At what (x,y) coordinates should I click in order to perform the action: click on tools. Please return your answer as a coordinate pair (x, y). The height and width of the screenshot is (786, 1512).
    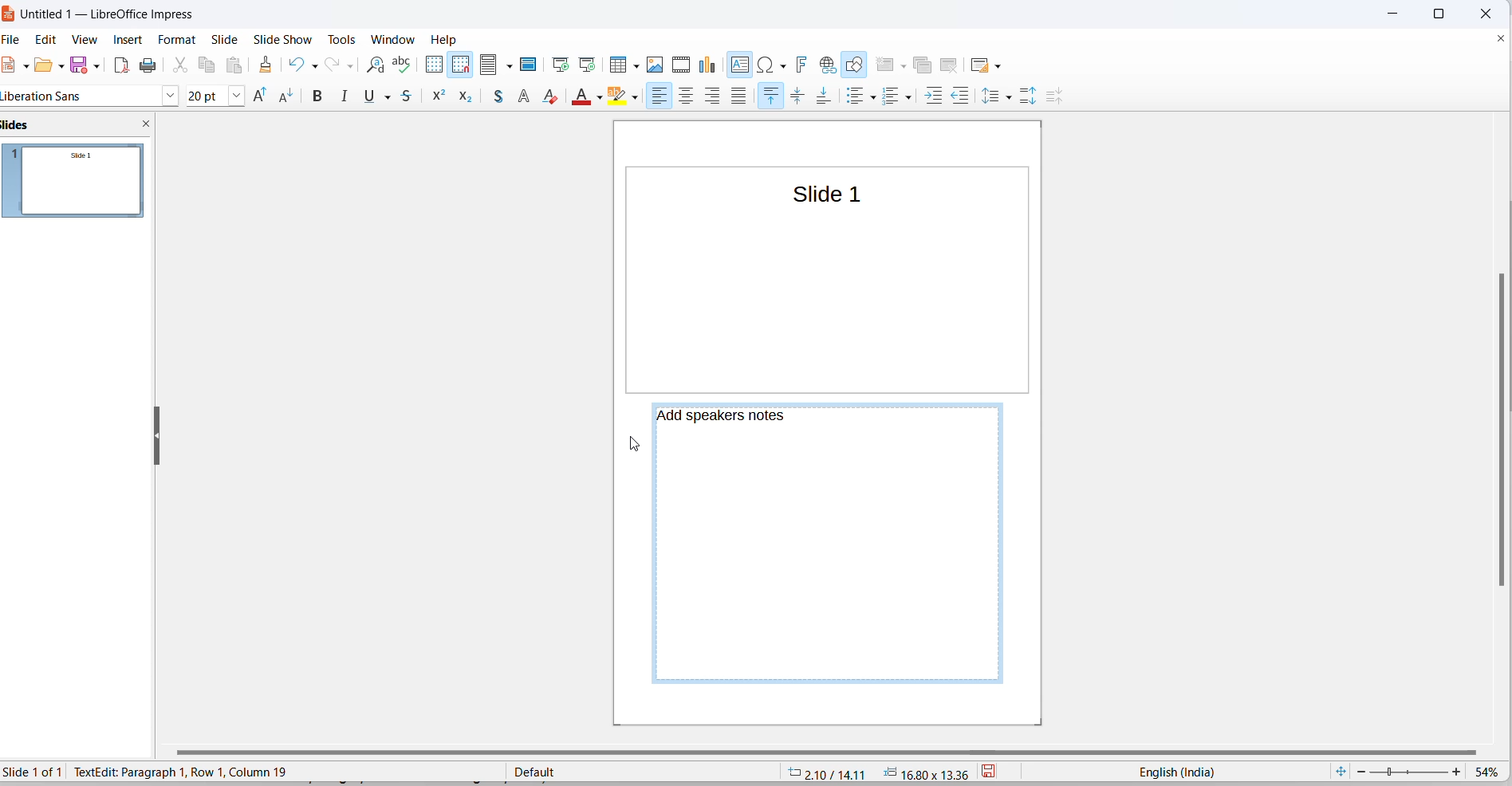
    Looking at the image, I should click on (344, 39).